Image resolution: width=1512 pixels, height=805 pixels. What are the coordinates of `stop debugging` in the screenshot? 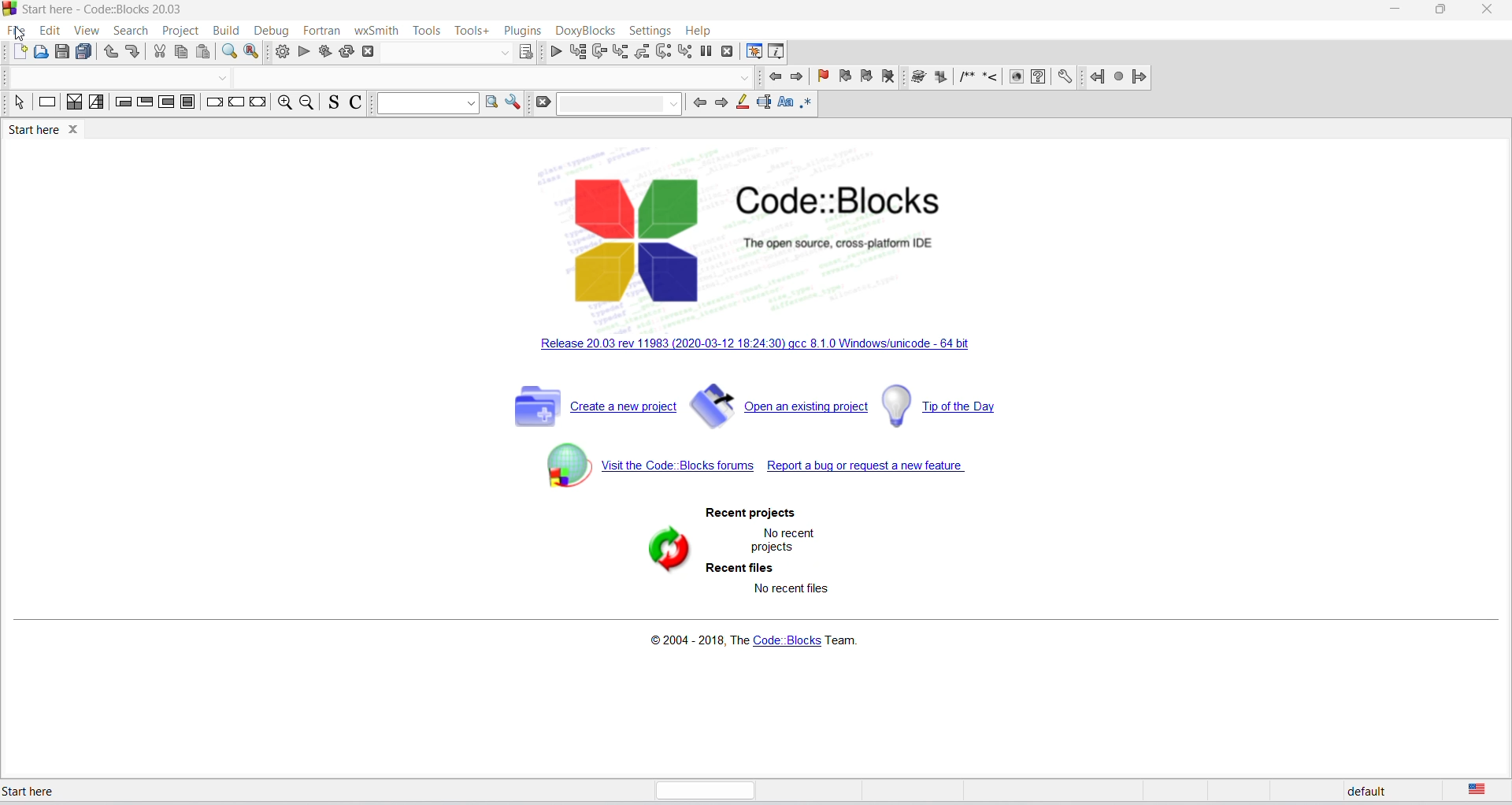 It's located at (730, 52).